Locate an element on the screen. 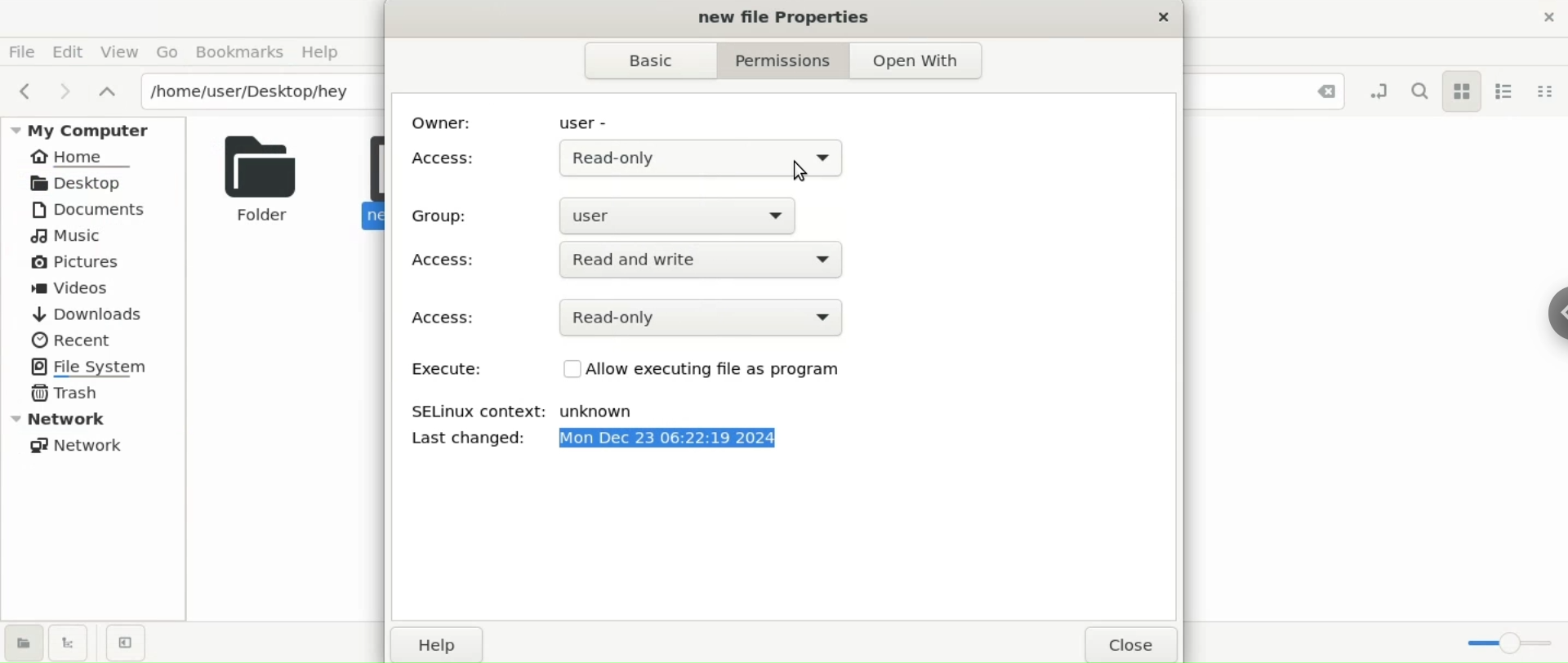 Image resolution: width=1568 pixels, height=663 pixels. show places is located at coordinates (23, 642).